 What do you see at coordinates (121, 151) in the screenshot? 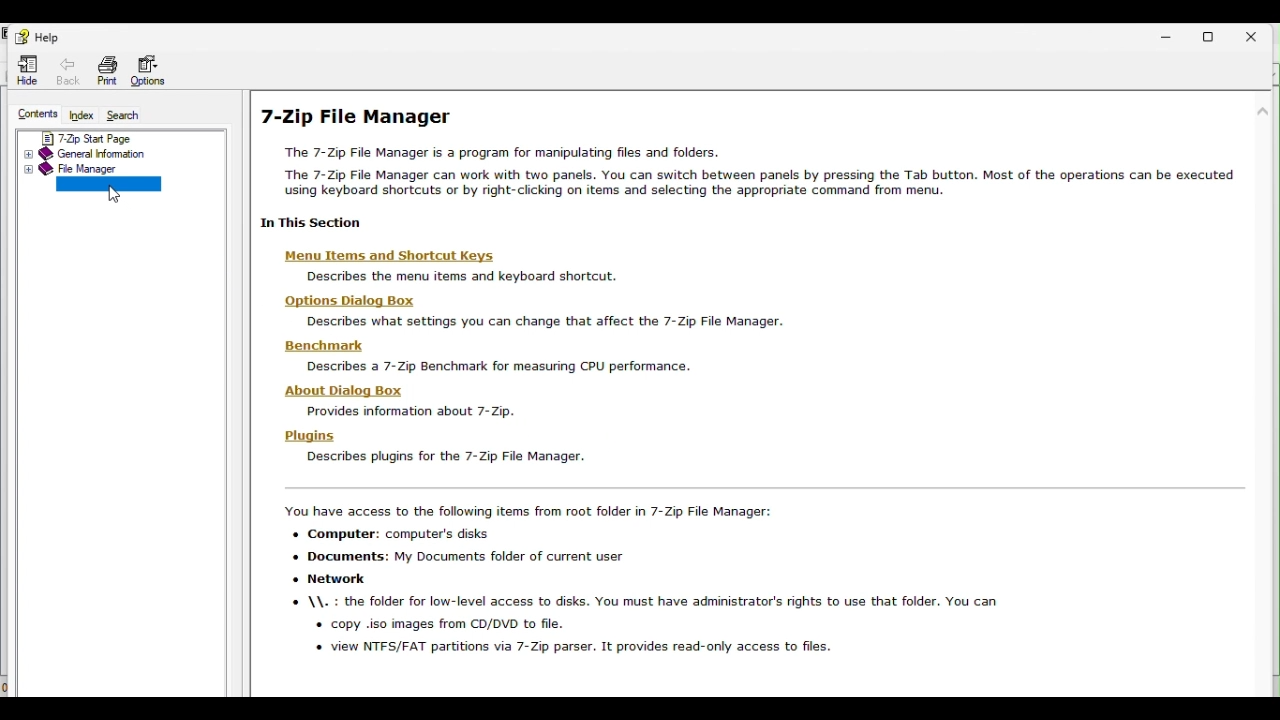
I see `General information` at bounding box center [121, 151].